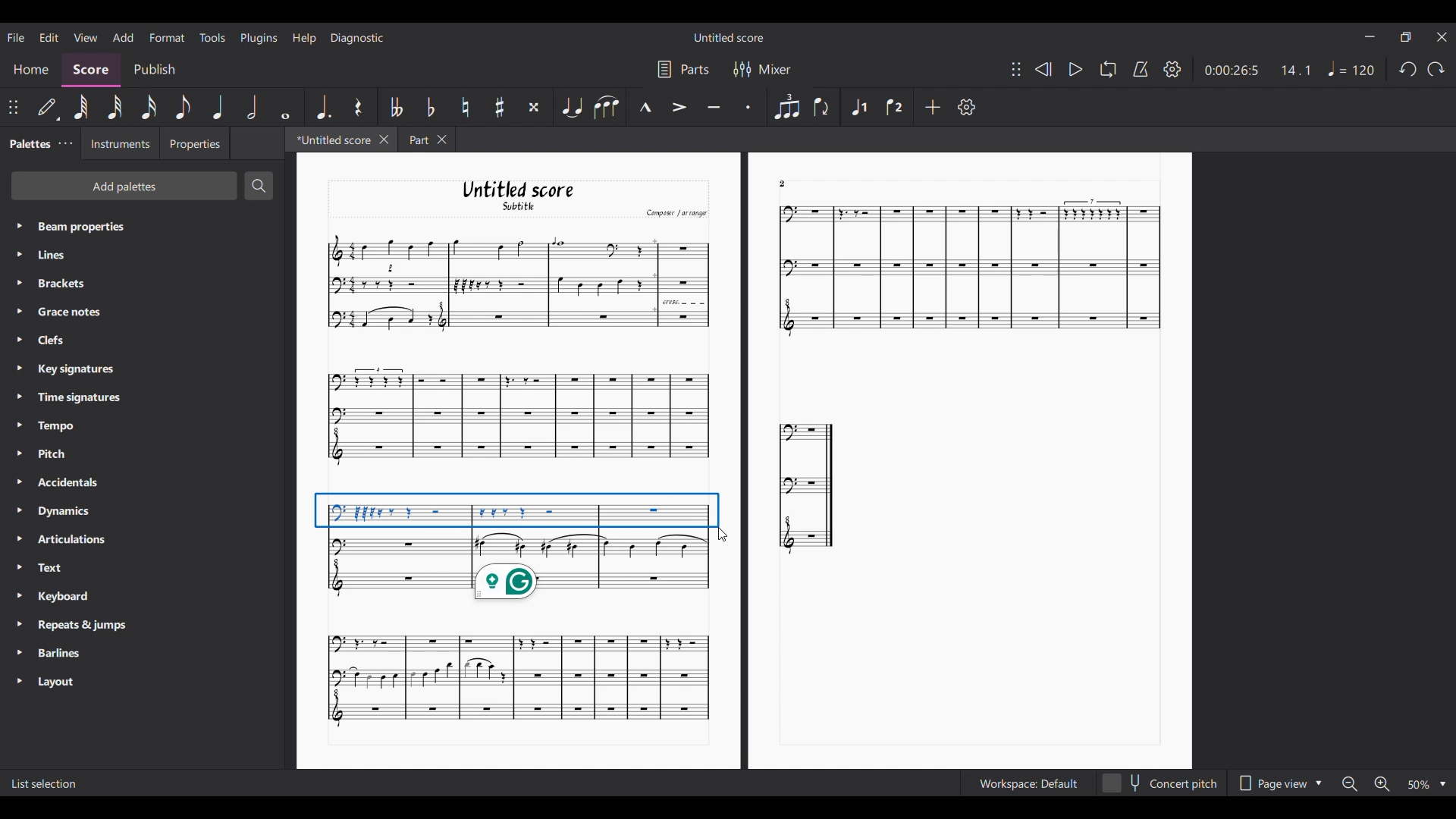 The width and height of the screenshot is (1456, 819). I want to click on Properties , so click(194, 143).